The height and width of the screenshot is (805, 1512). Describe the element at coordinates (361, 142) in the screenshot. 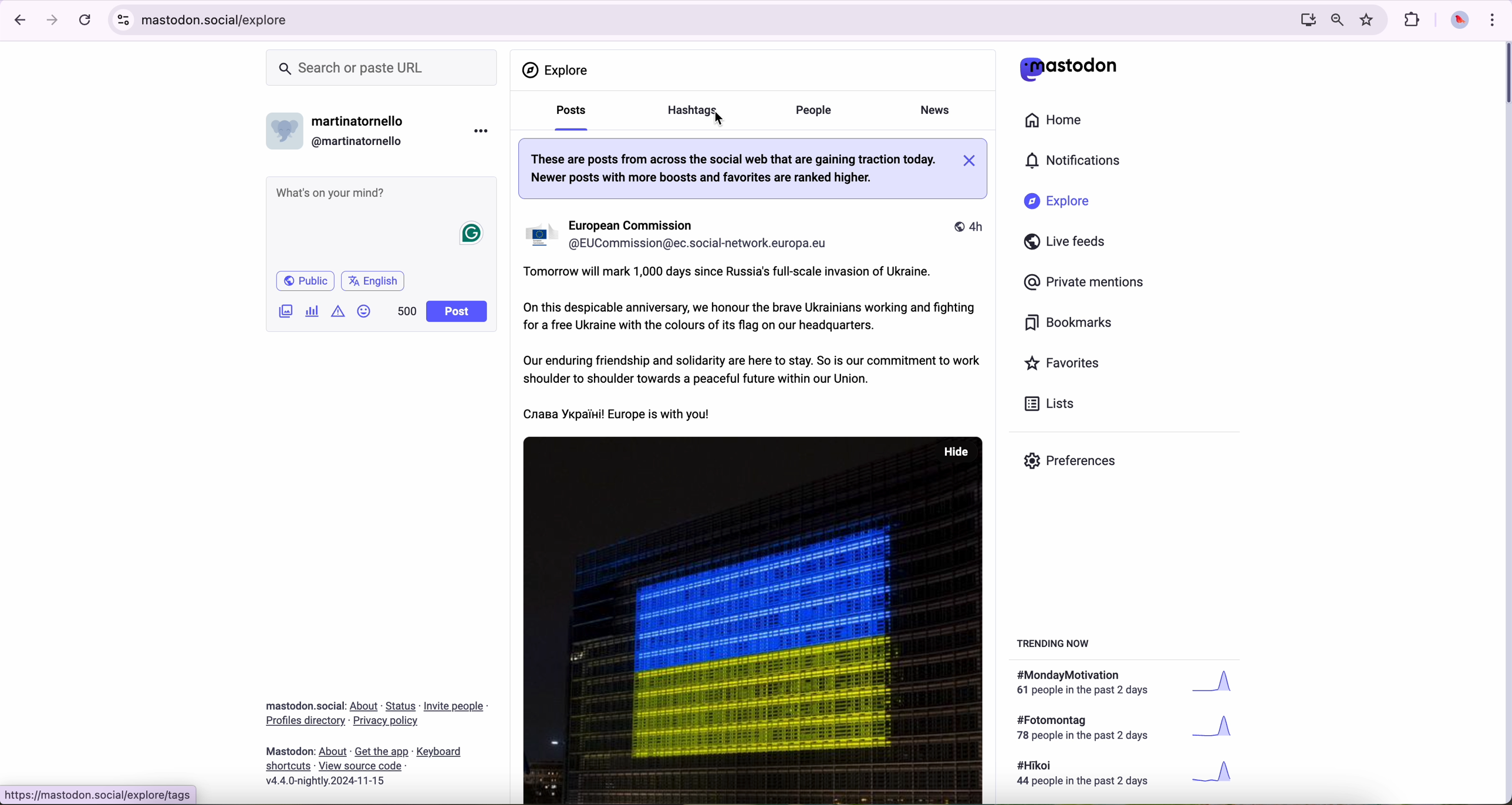

I see `user id` at that location.